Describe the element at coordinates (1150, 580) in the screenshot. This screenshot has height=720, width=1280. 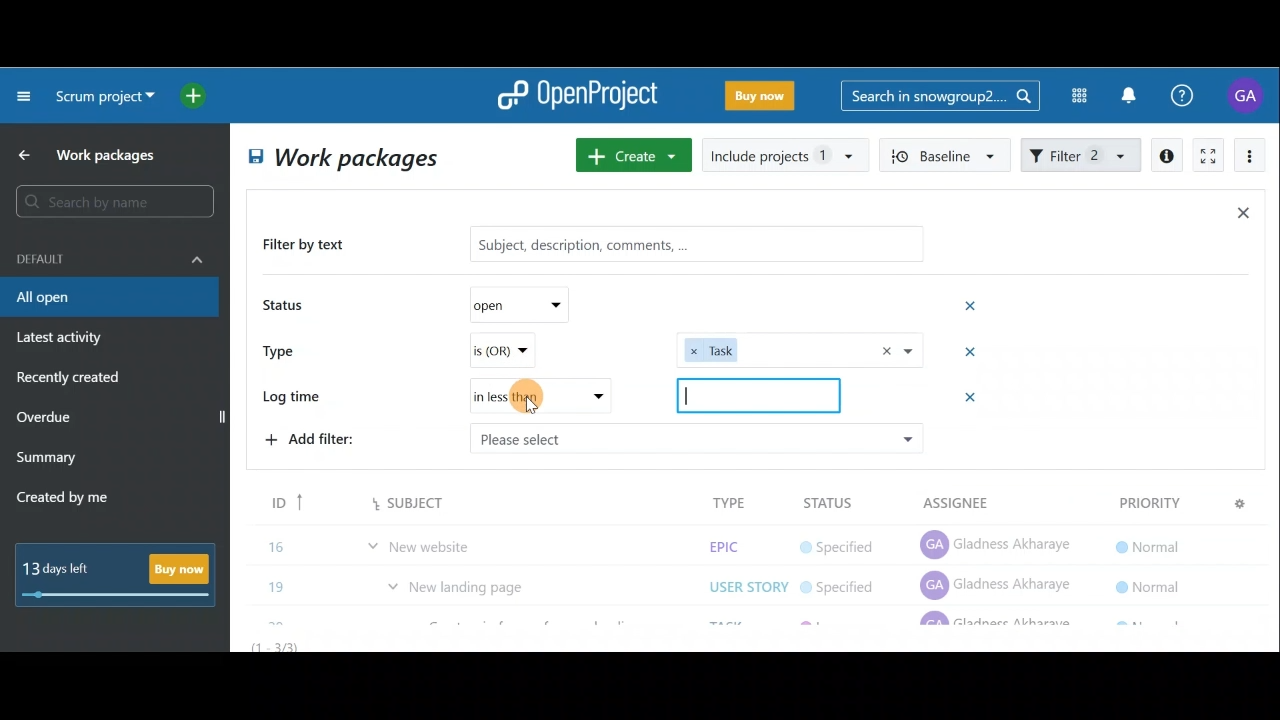
I see `normal` at that location.